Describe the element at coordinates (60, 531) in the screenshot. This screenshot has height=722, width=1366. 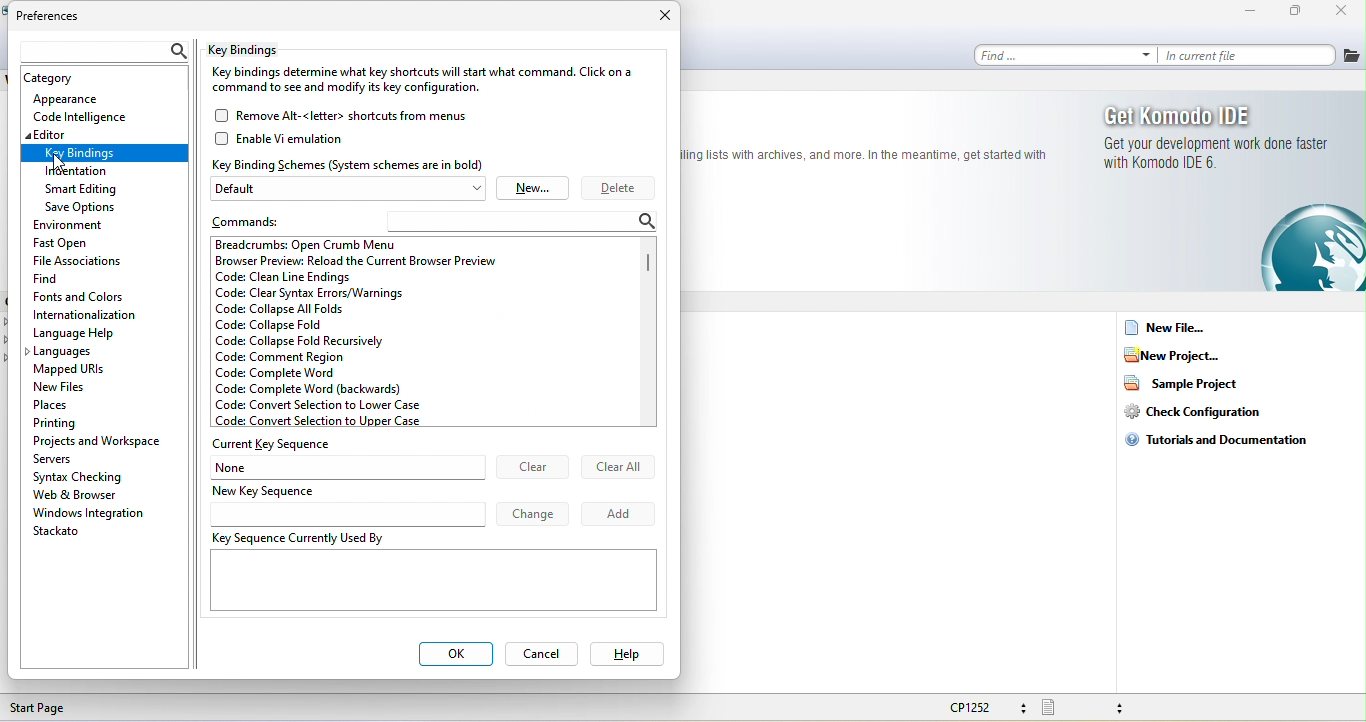
I see `stackato` at that location.